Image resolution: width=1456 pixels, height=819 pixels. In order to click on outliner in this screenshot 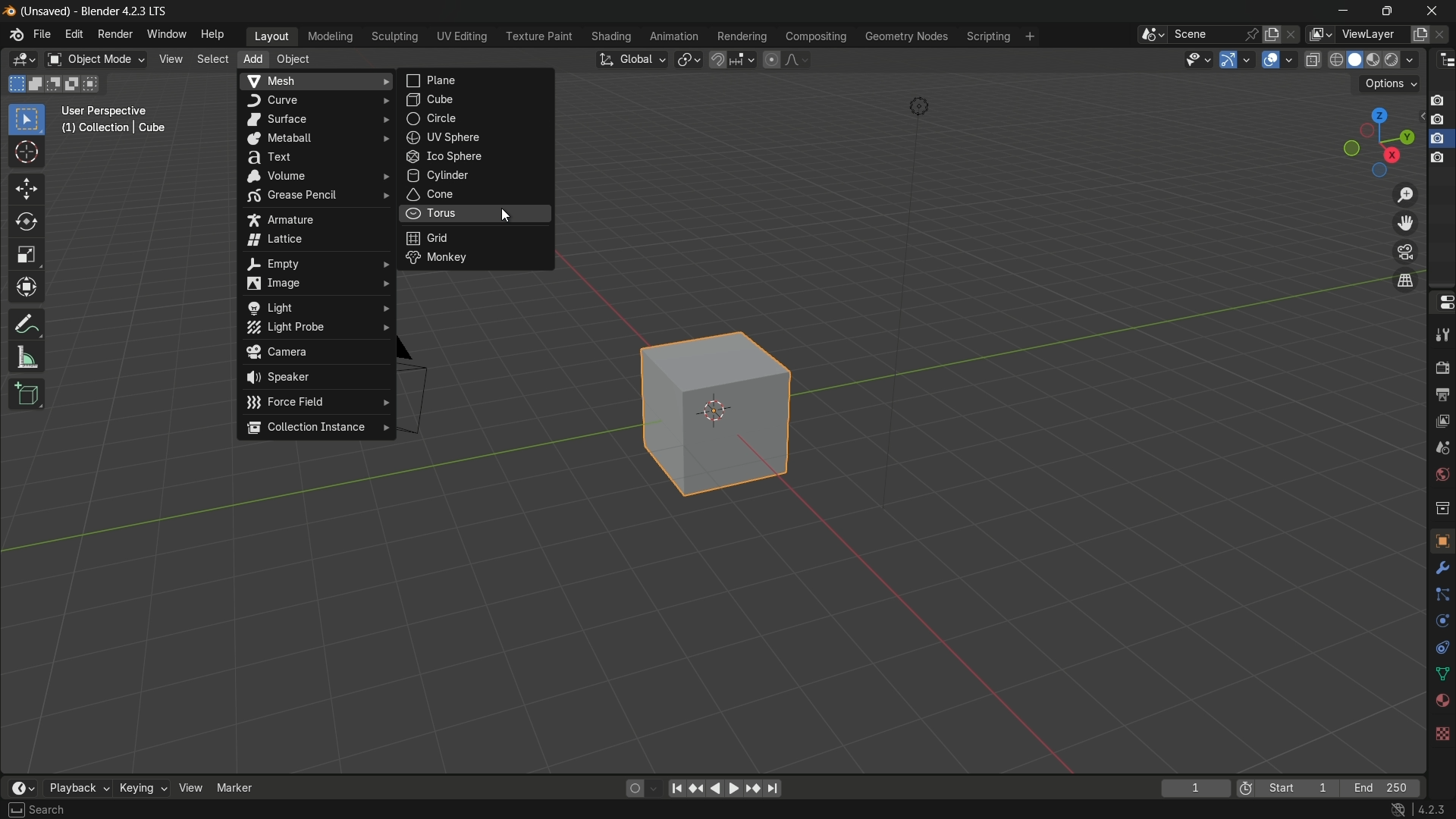, I will do `click(1447, 61)`.